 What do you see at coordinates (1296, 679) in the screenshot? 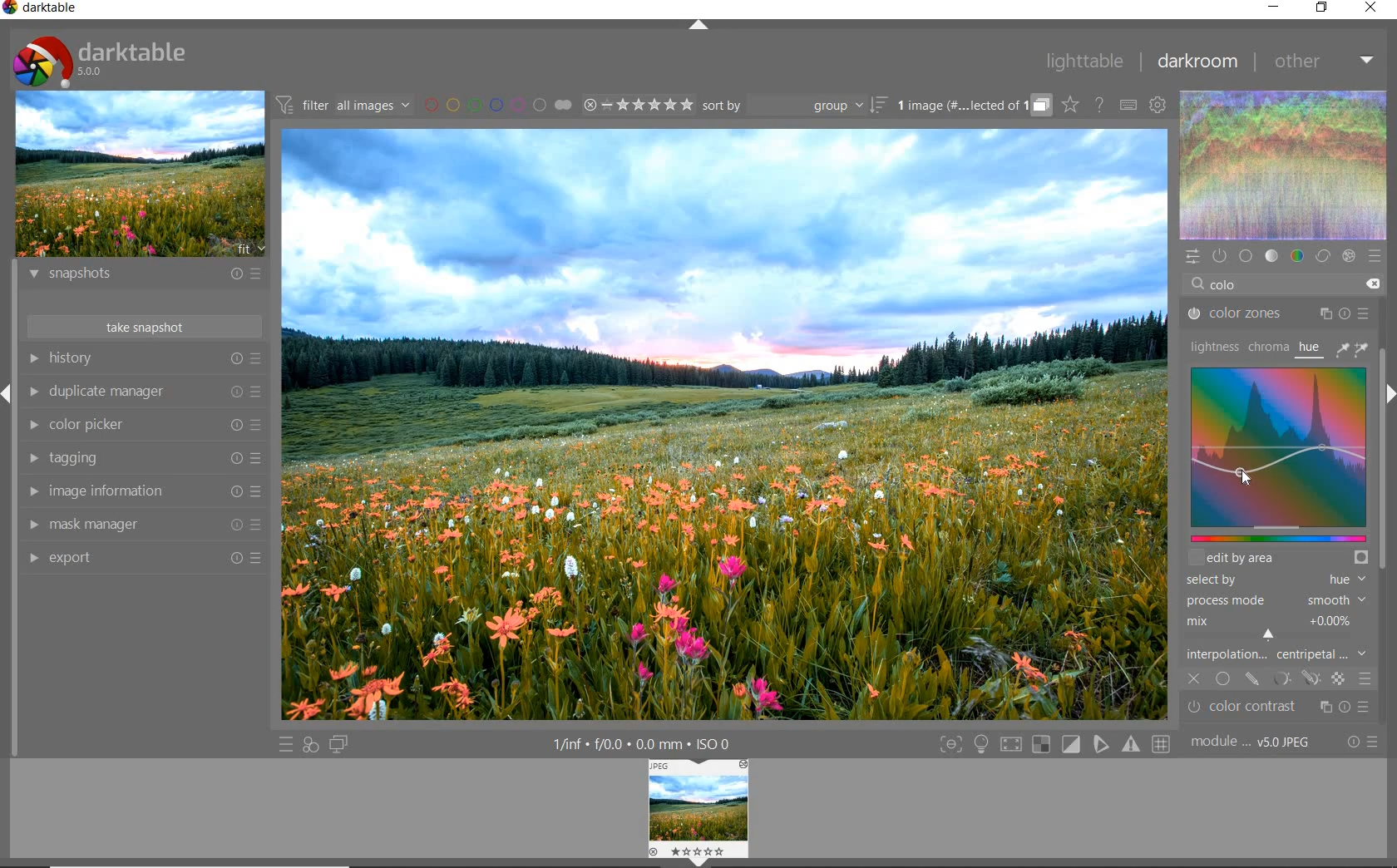
I see `mask options` at bounding box center [1296, 679].